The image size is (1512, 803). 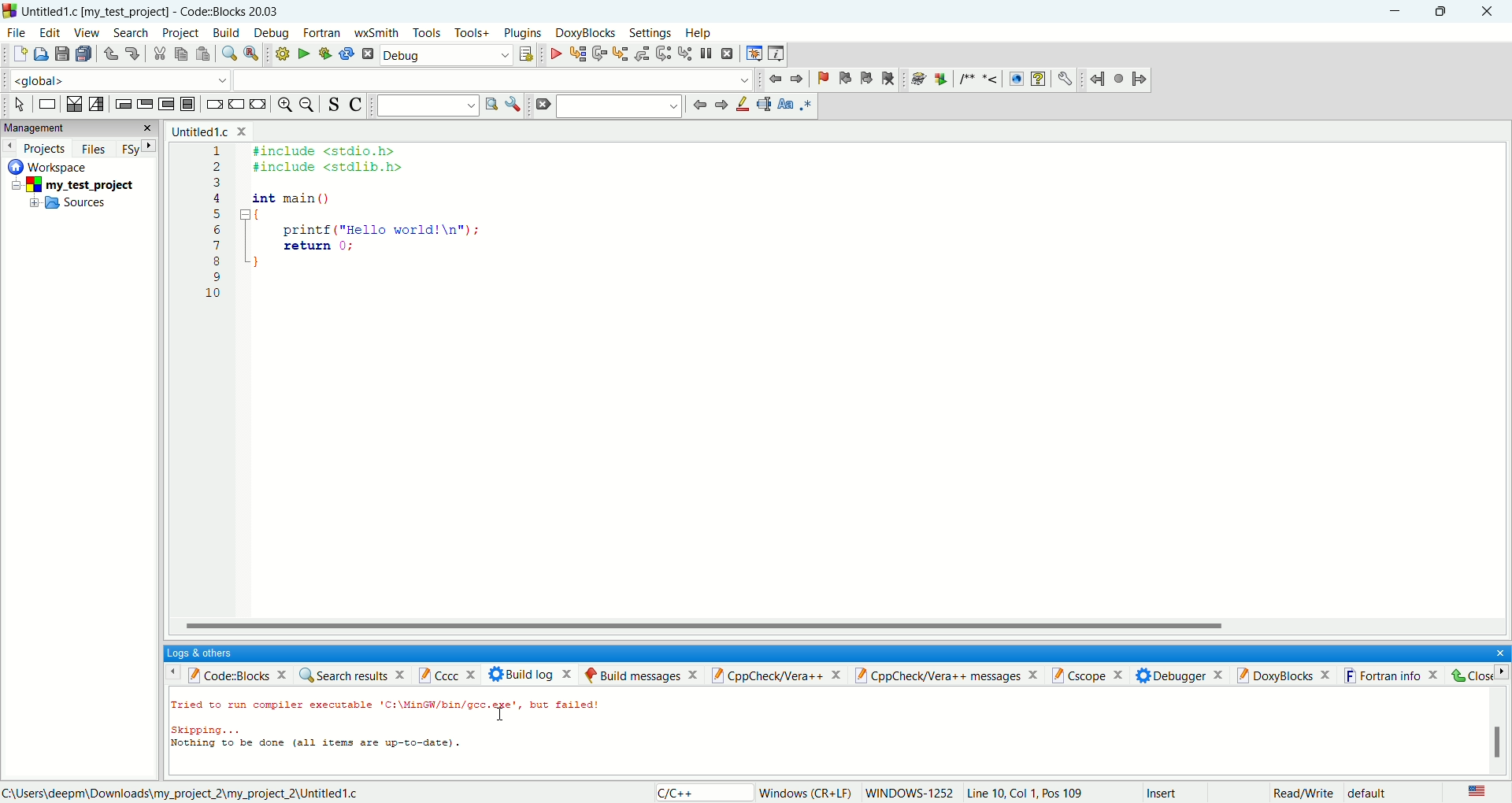 What do you see at coordinates (180, 34) in the screenshot?
I see `project` at bounding box center [180, 34].